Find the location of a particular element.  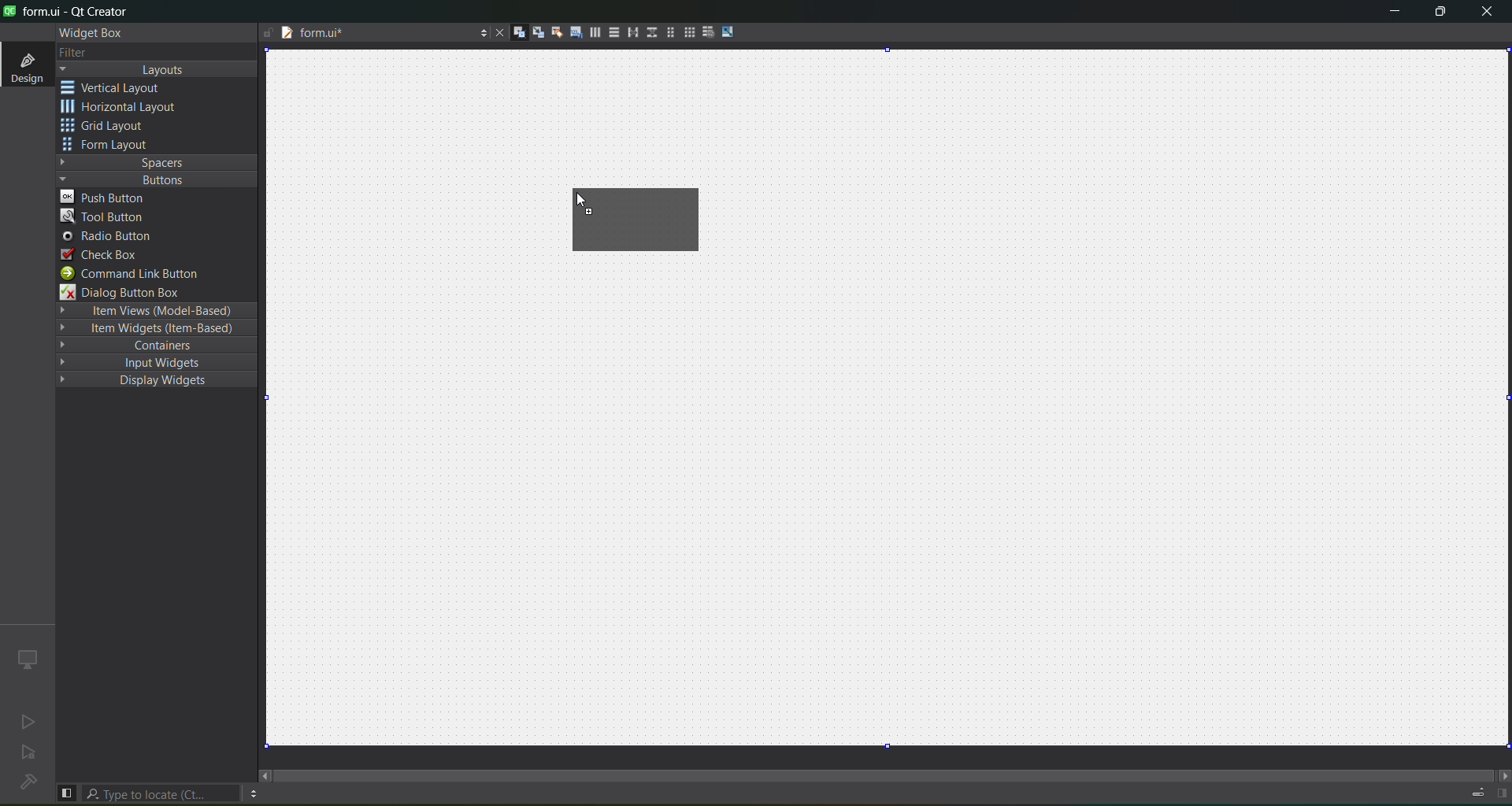

move left is located at coordinates (265, 775).